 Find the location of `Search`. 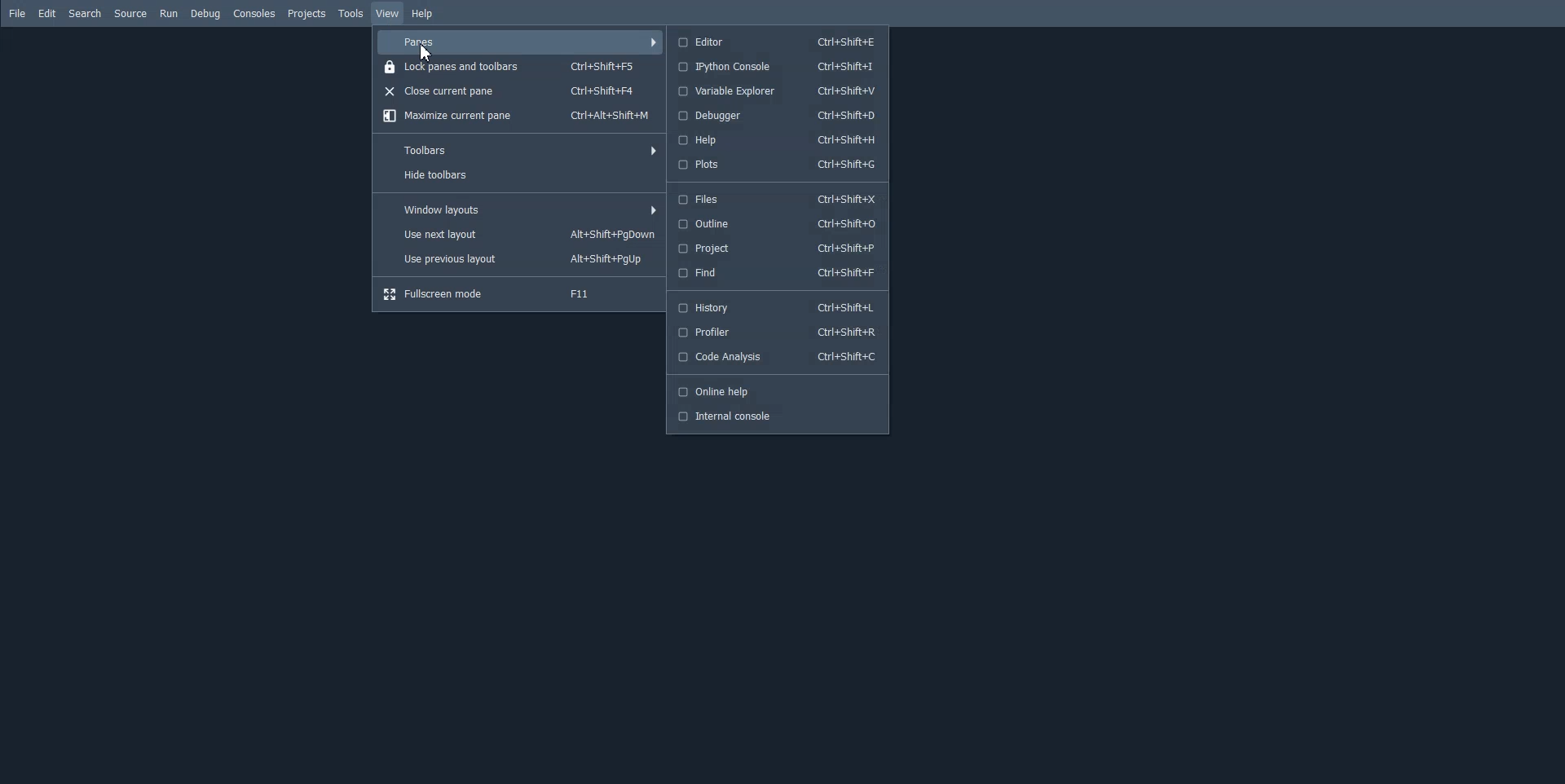

Search is located at coordinates (85, 13).